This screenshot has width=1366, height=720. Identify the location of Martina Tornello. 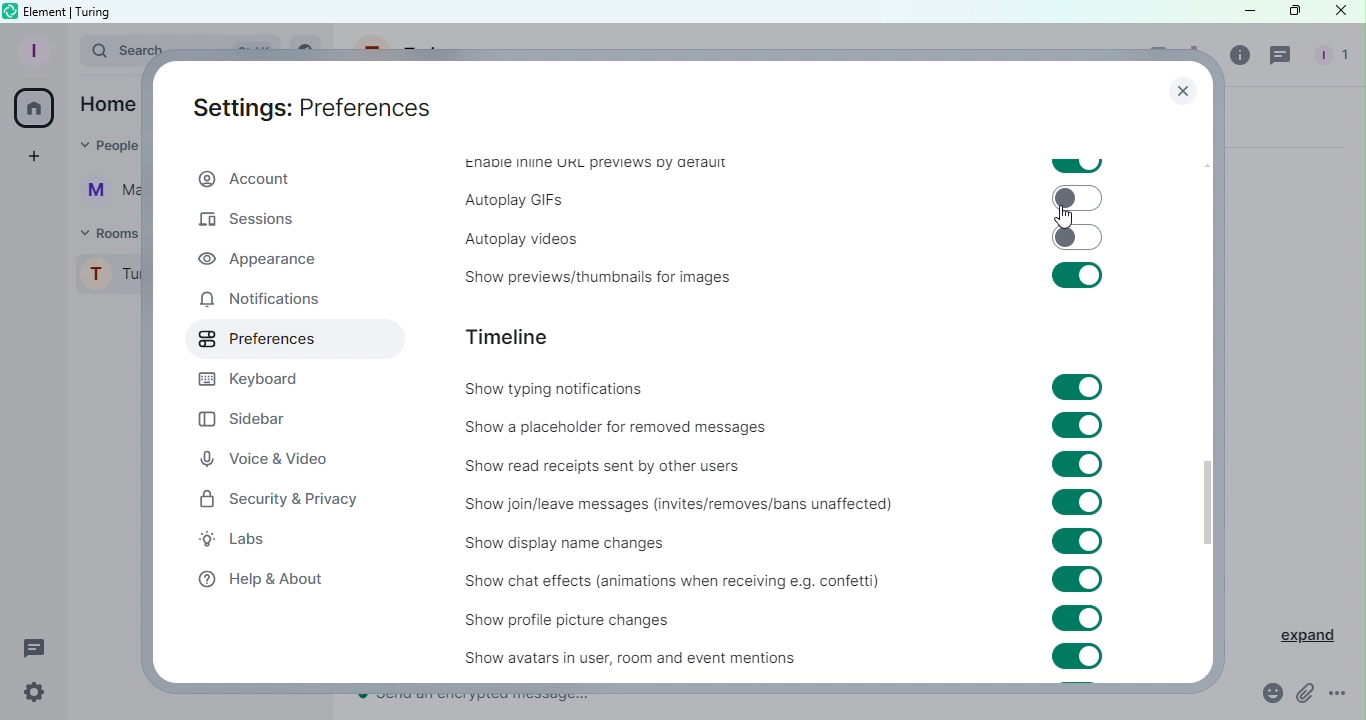
(106, 195).